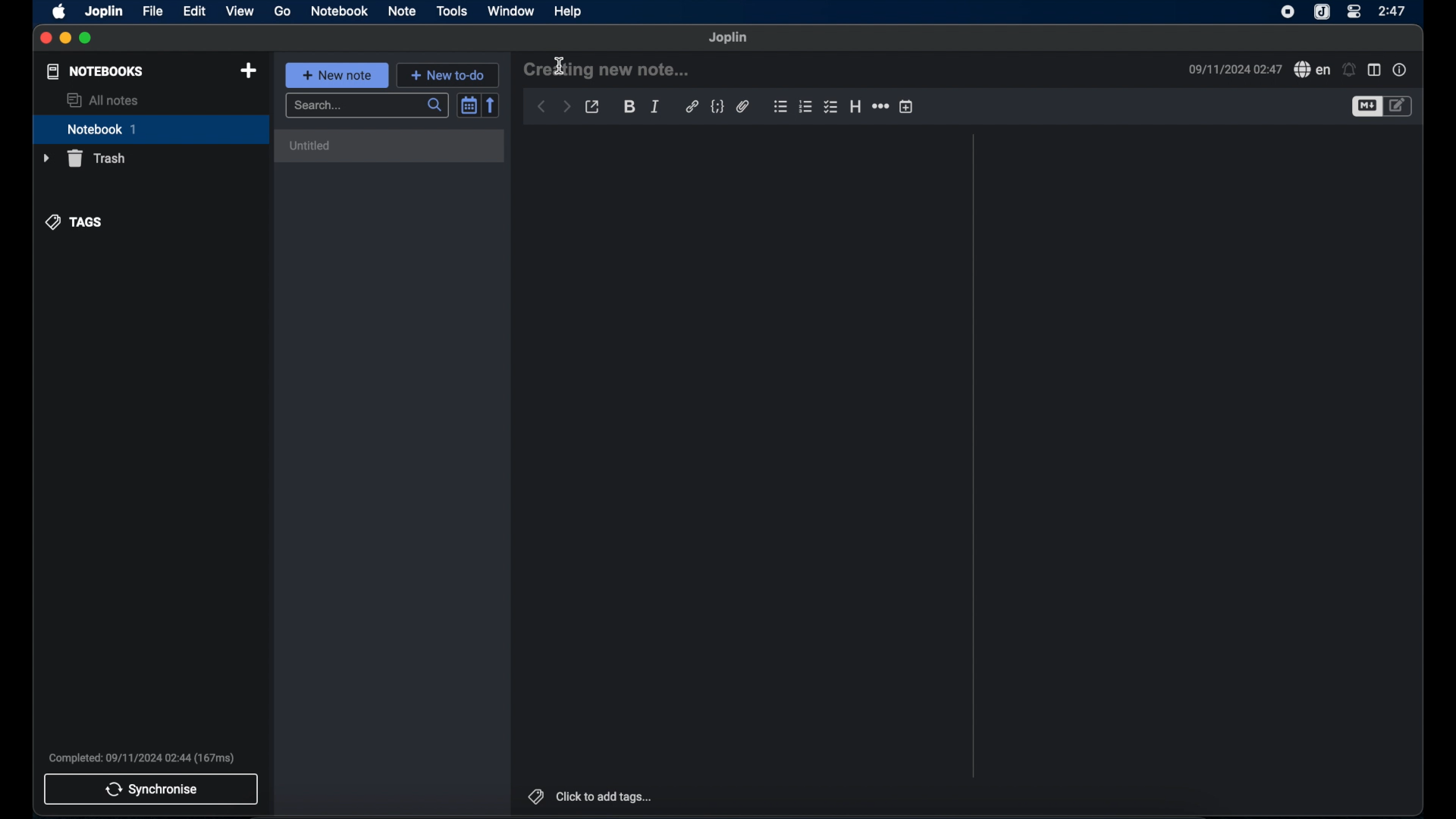 The width and height of the screenshot is (1456, 819). Describe the element at coordinates (717, 107) in the screenshot. I see `code` at that location.